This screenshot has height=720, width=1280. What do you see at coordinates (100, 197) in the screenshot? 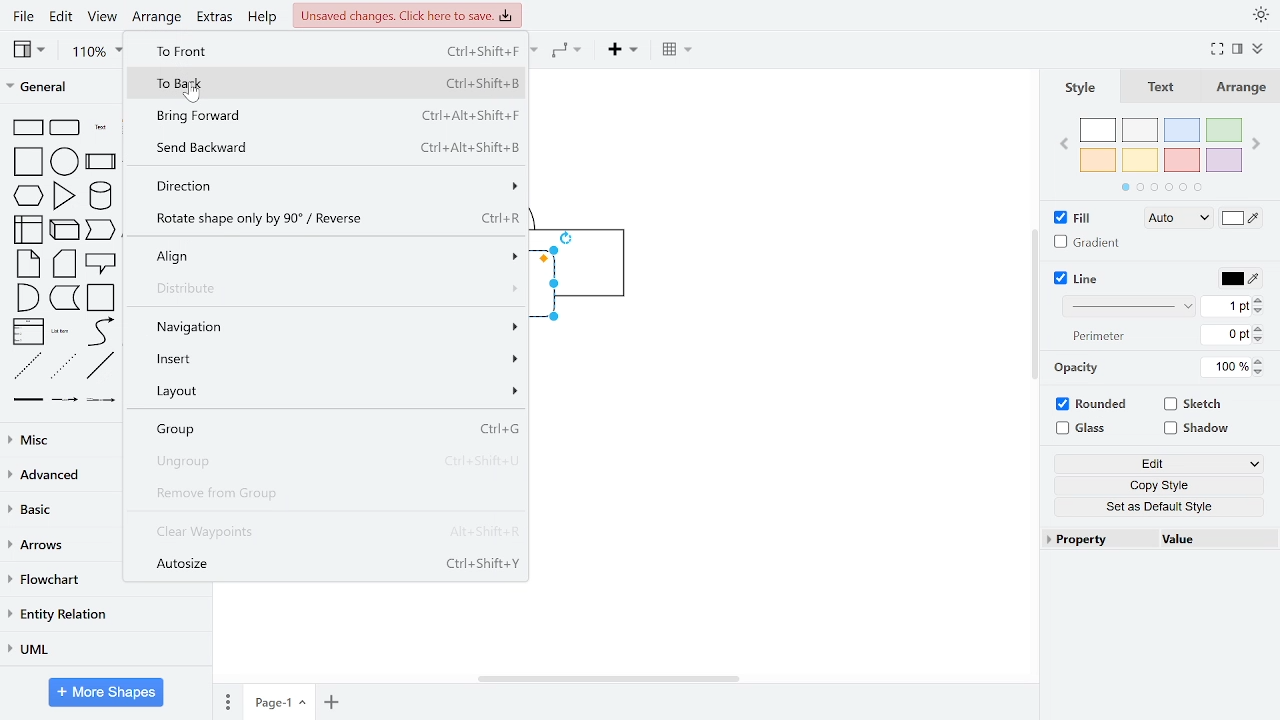
I see `cylinder` at bounding box center [100, 197].